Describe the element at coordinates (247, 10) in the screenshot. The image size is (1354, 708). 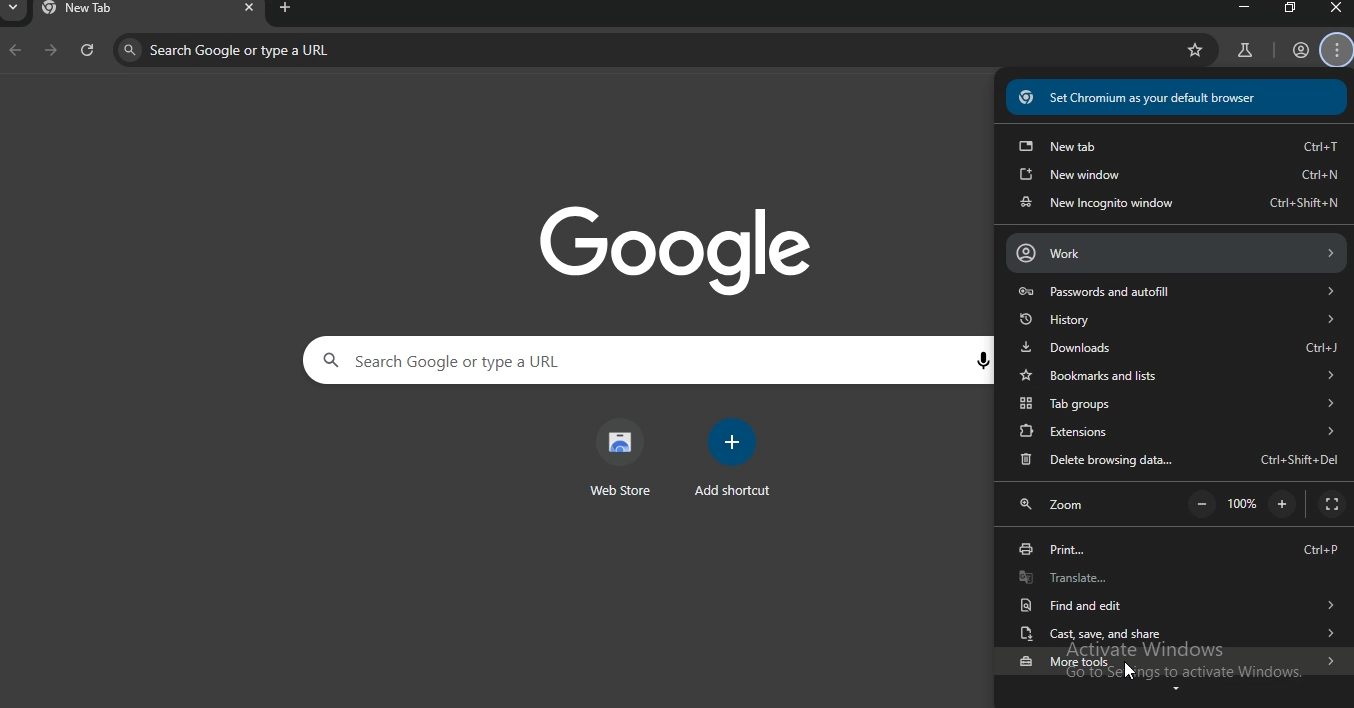
I see `close` at that location.